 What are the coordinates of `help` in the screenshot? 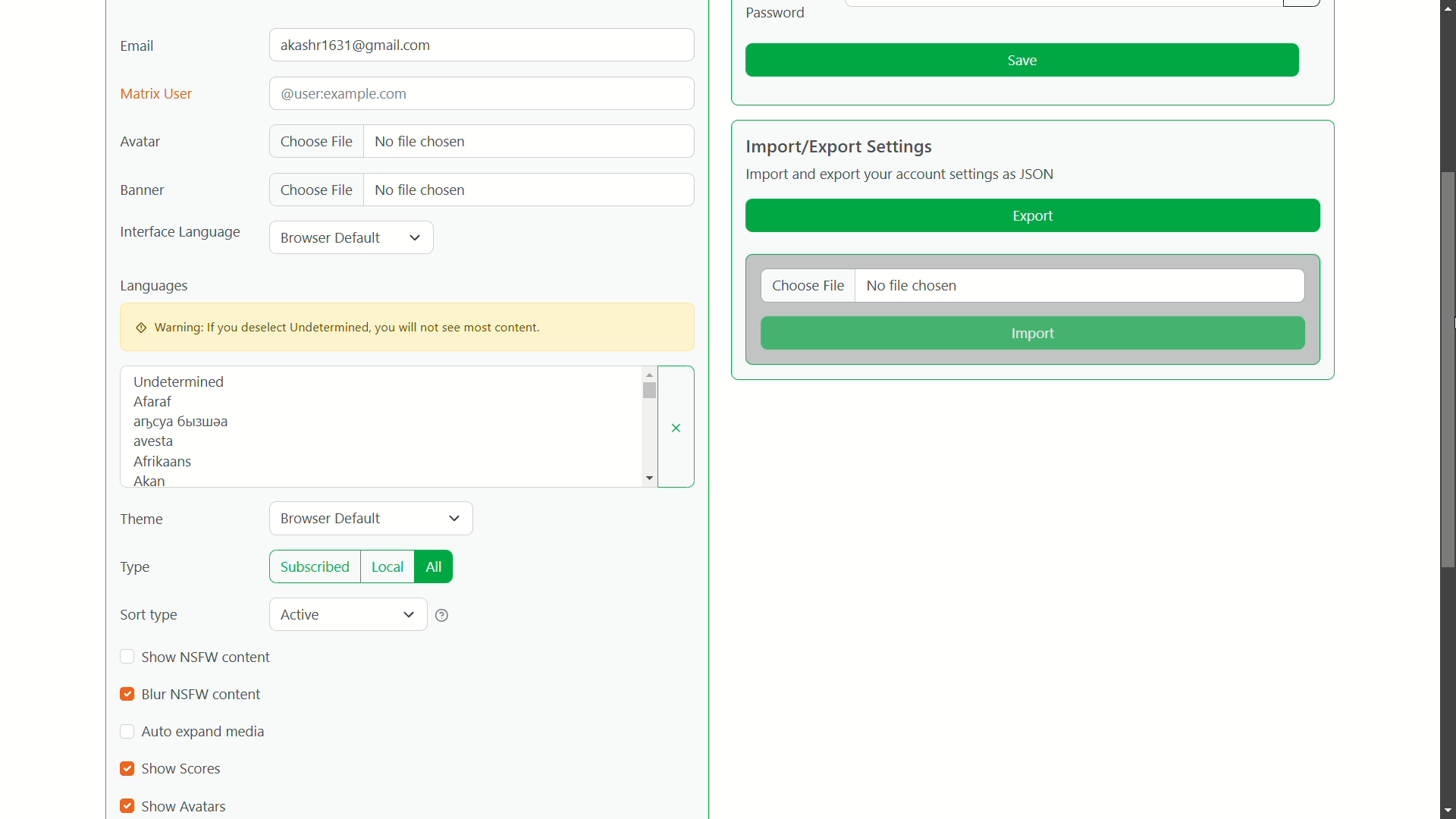 It's located at (443, 615).